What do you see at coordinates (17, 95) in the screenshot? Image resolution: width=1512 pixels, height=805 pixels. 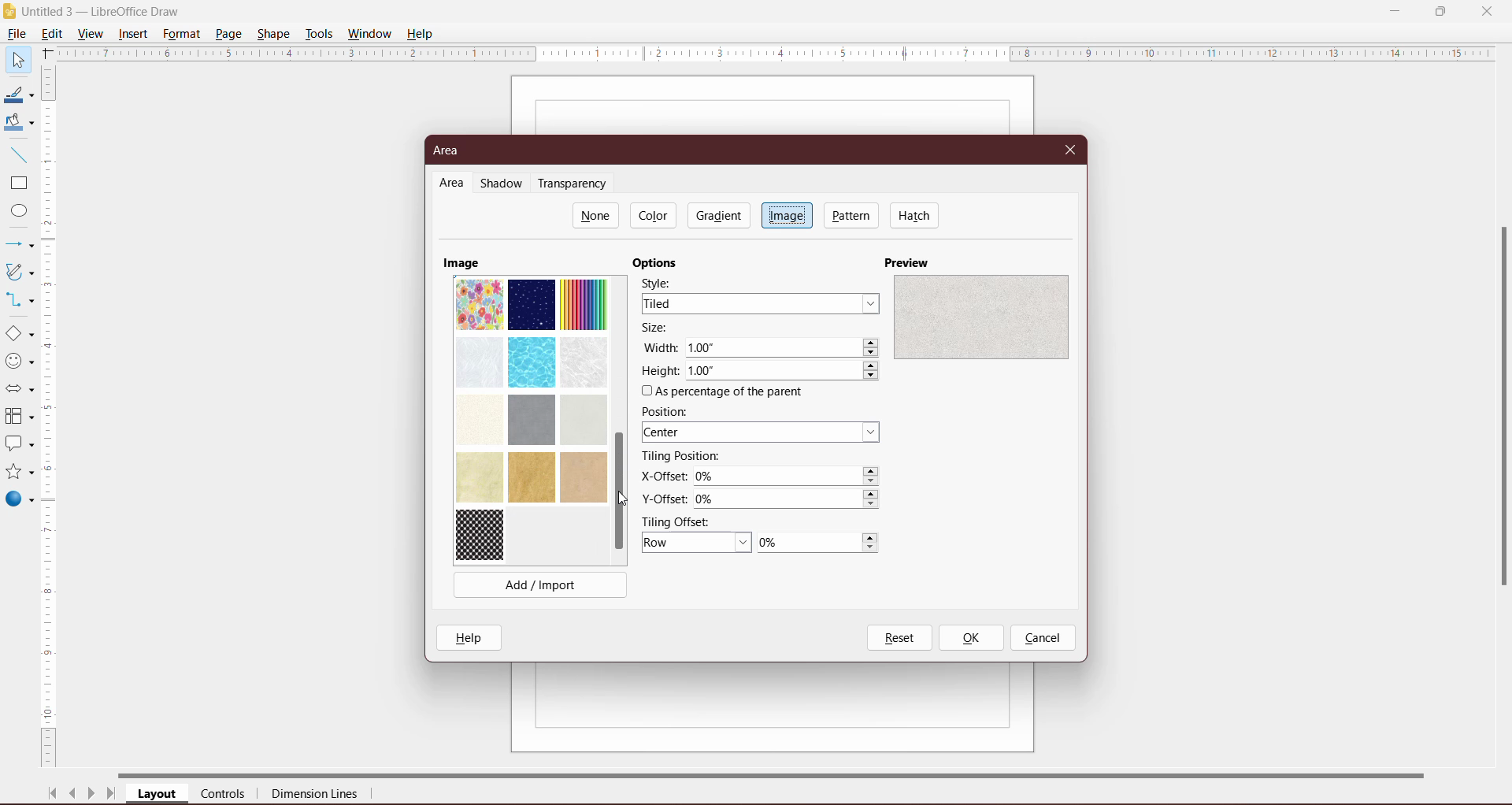 I see `Line Color` at bounding box center [17, 95].